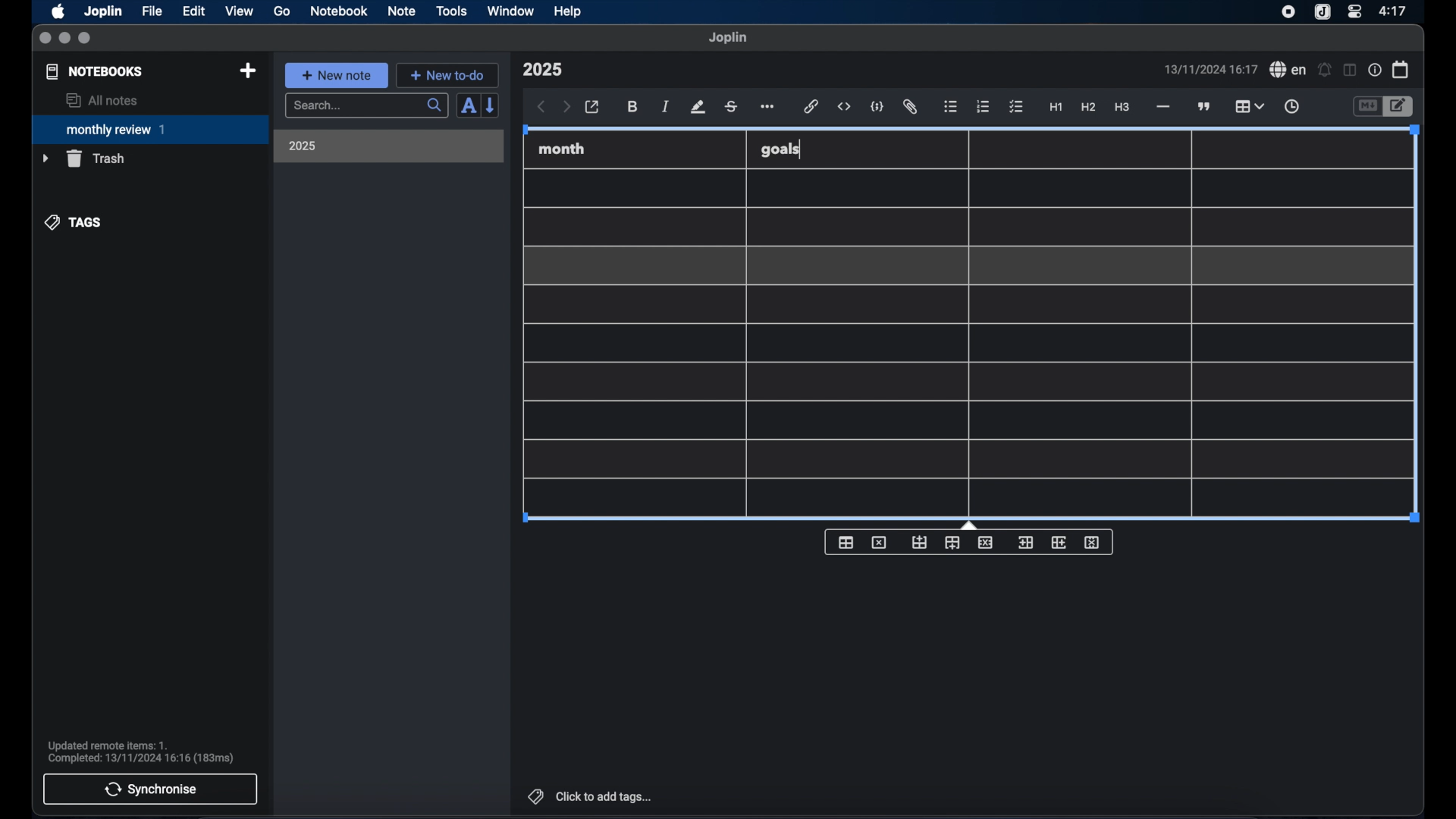 This screenshot has height=819, width=1456. Describe the element at coordinates (634, 107) in the screenshot. I see `bold` at that location.